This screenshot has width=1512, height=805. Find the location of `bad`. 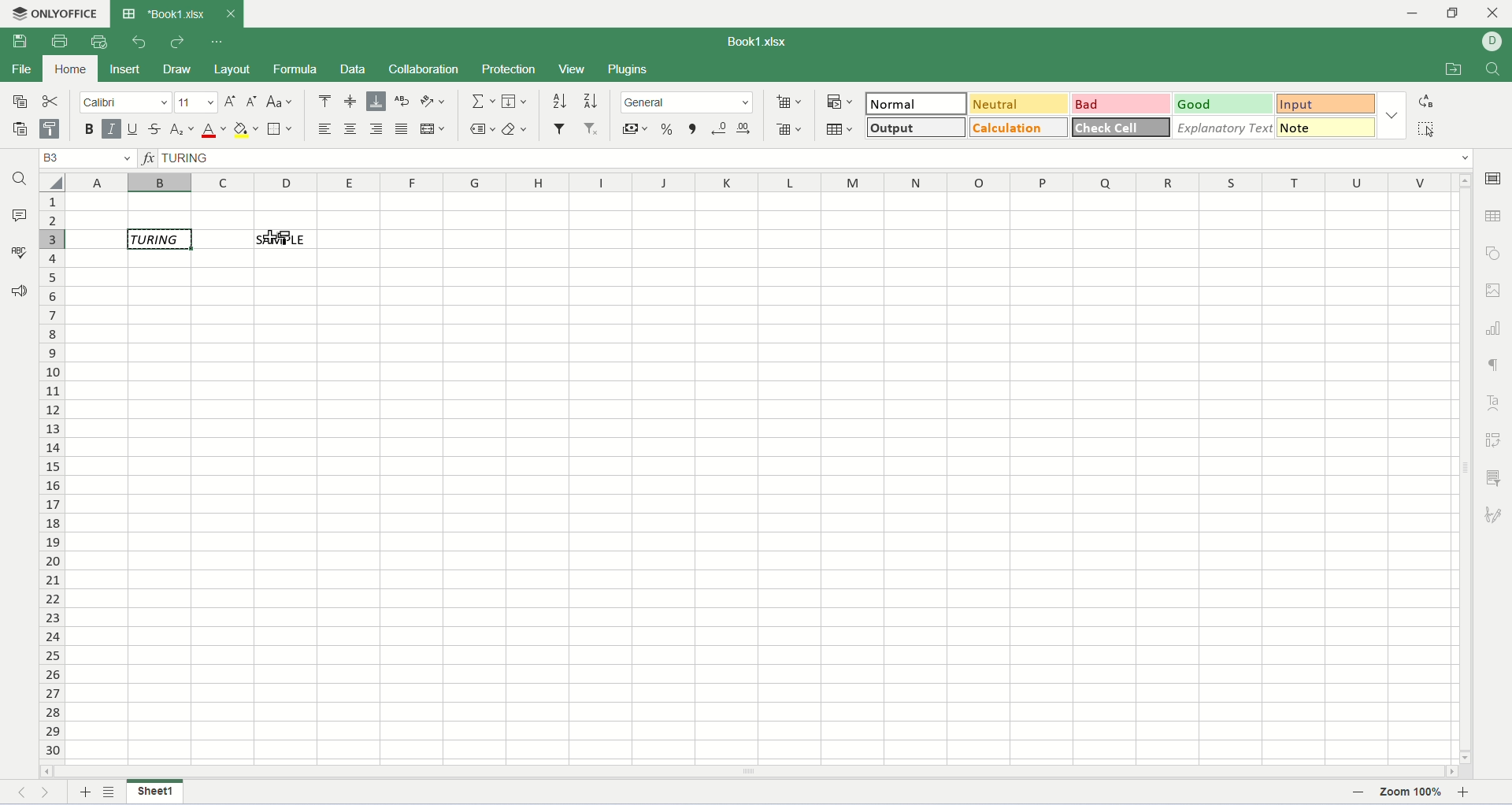

bad is located at coordinates (1121, 105).